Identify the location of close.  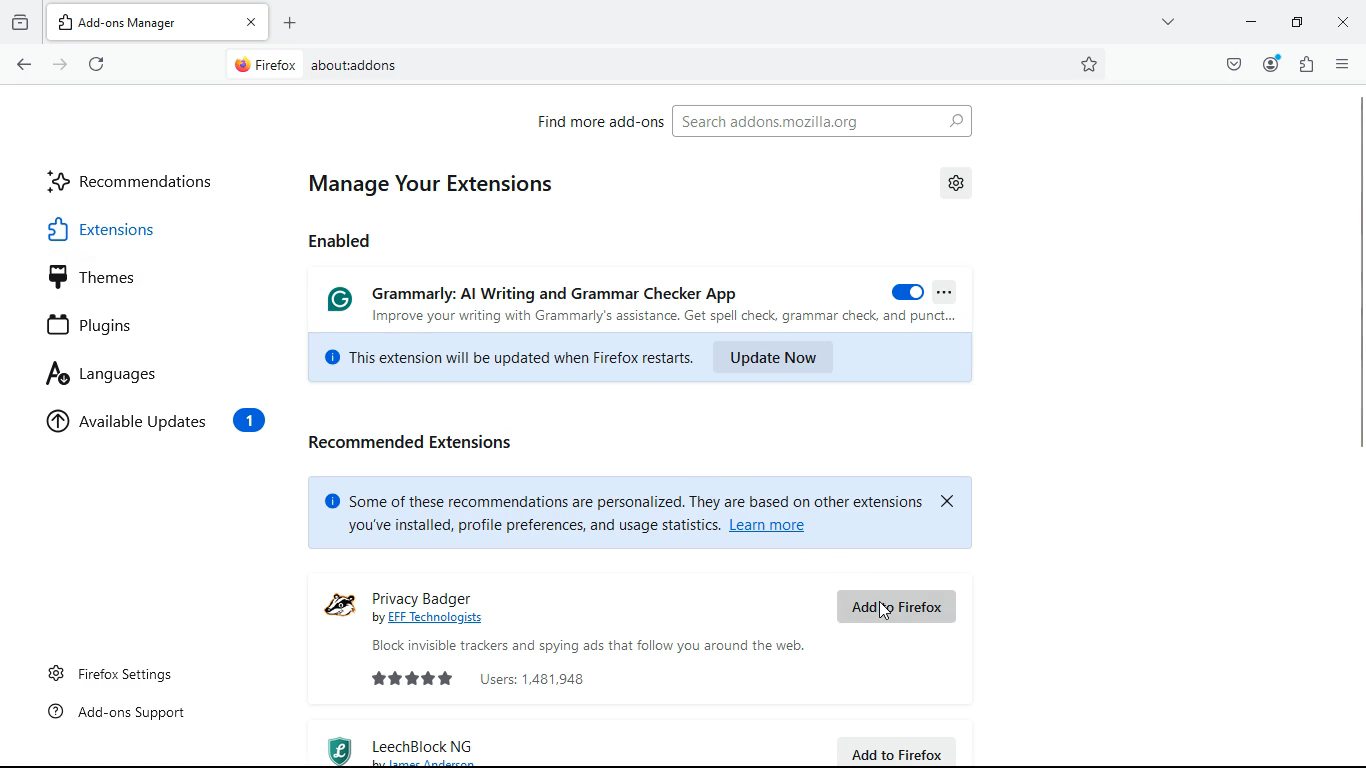
(1348, 21).